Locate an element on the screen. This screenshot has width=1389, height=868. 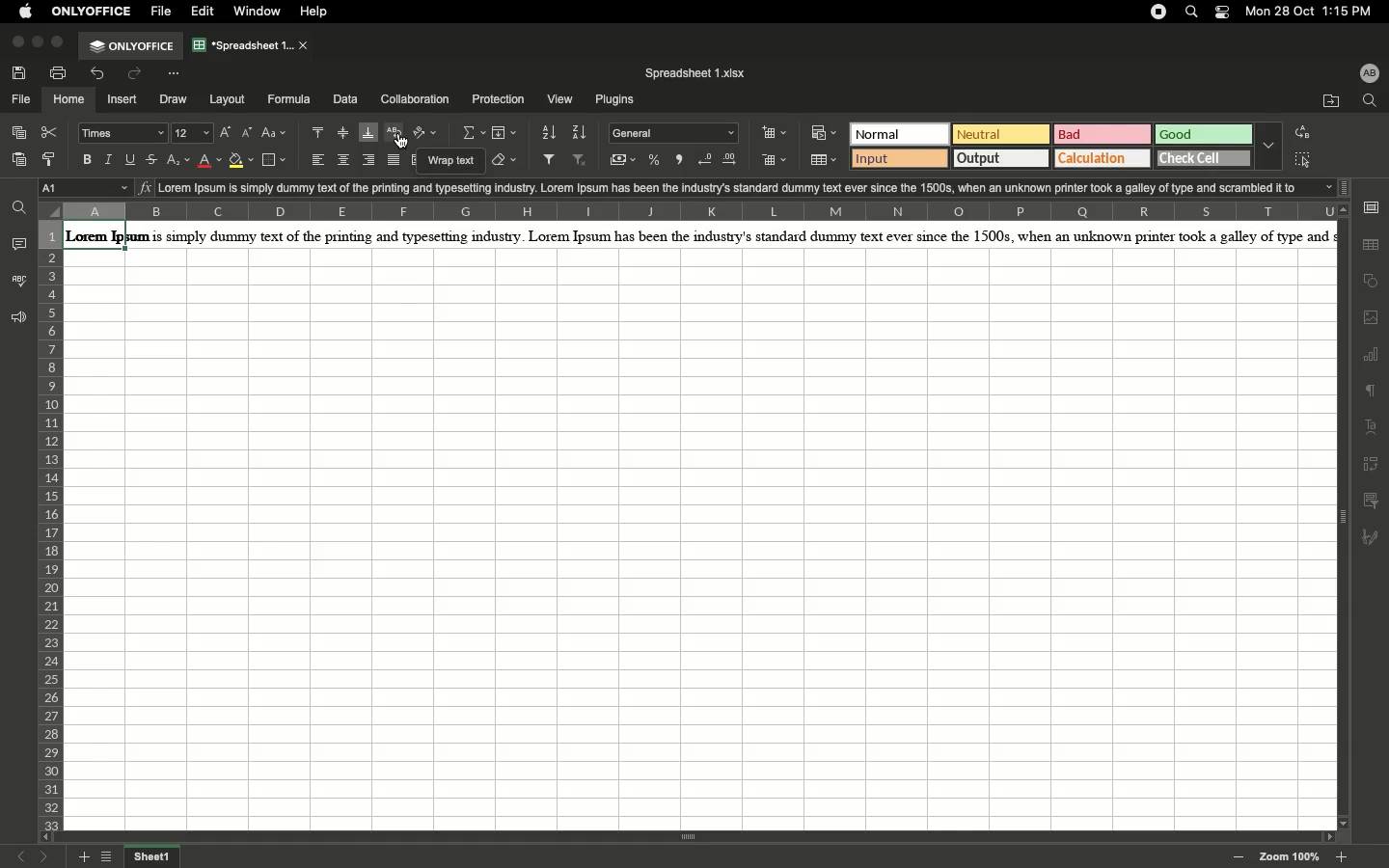
Input is located at coordinates (898, 158).